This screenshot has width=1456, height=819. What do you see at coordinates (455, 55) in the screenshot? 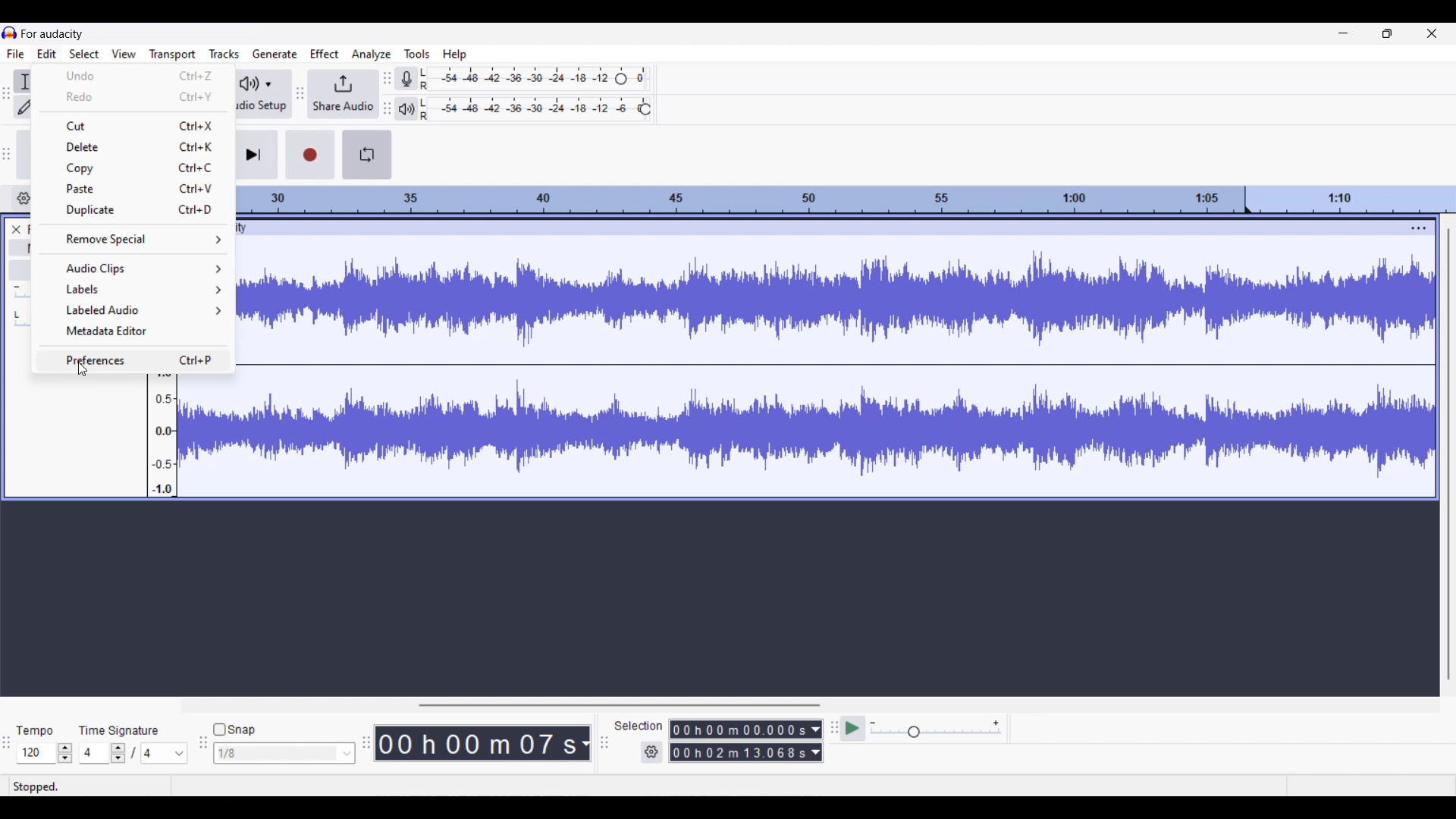
I see `Help menu` at bounding box center [455, 55].